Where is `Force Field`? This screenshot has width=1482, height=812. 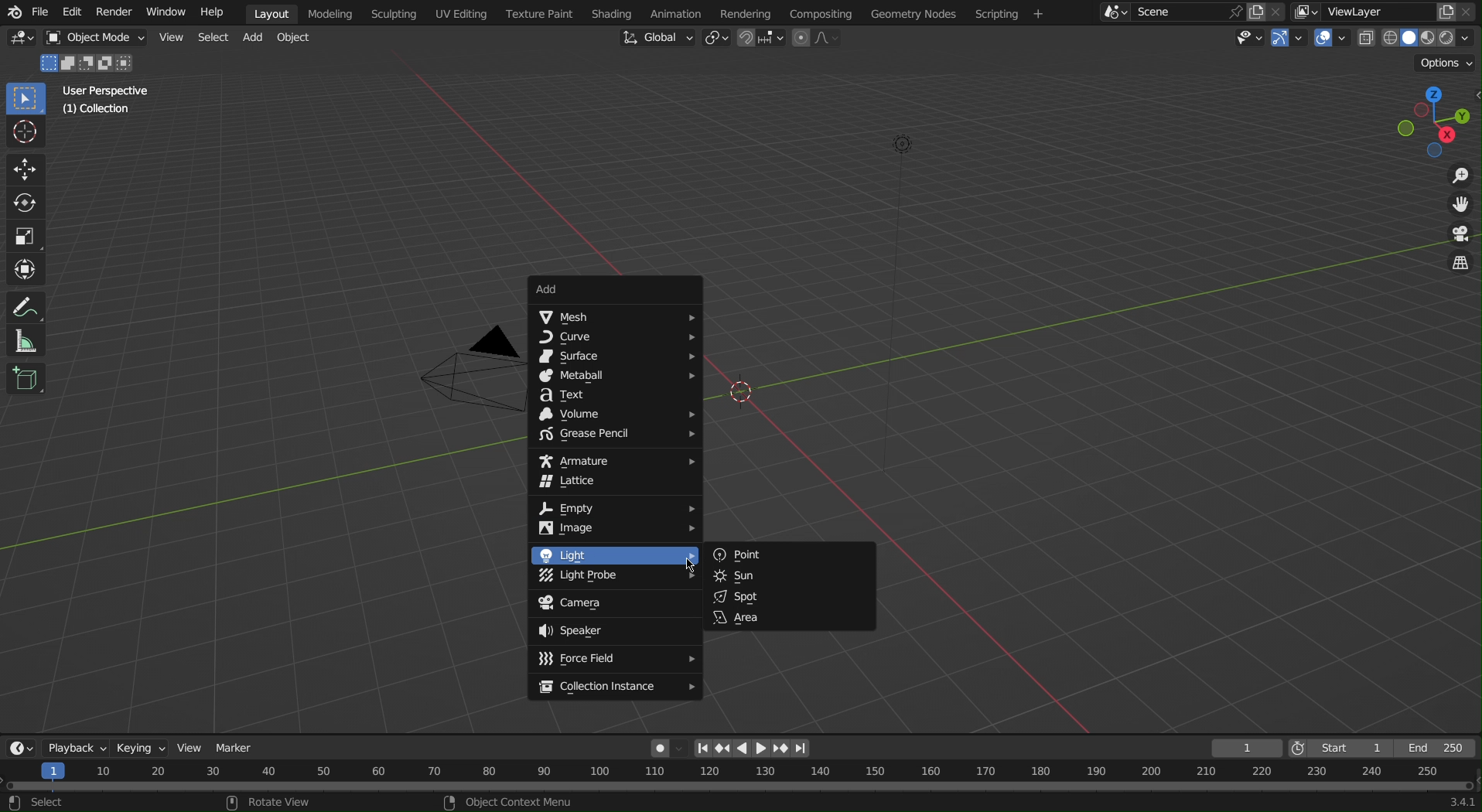 Force Field is located at coordinates (615, 660).